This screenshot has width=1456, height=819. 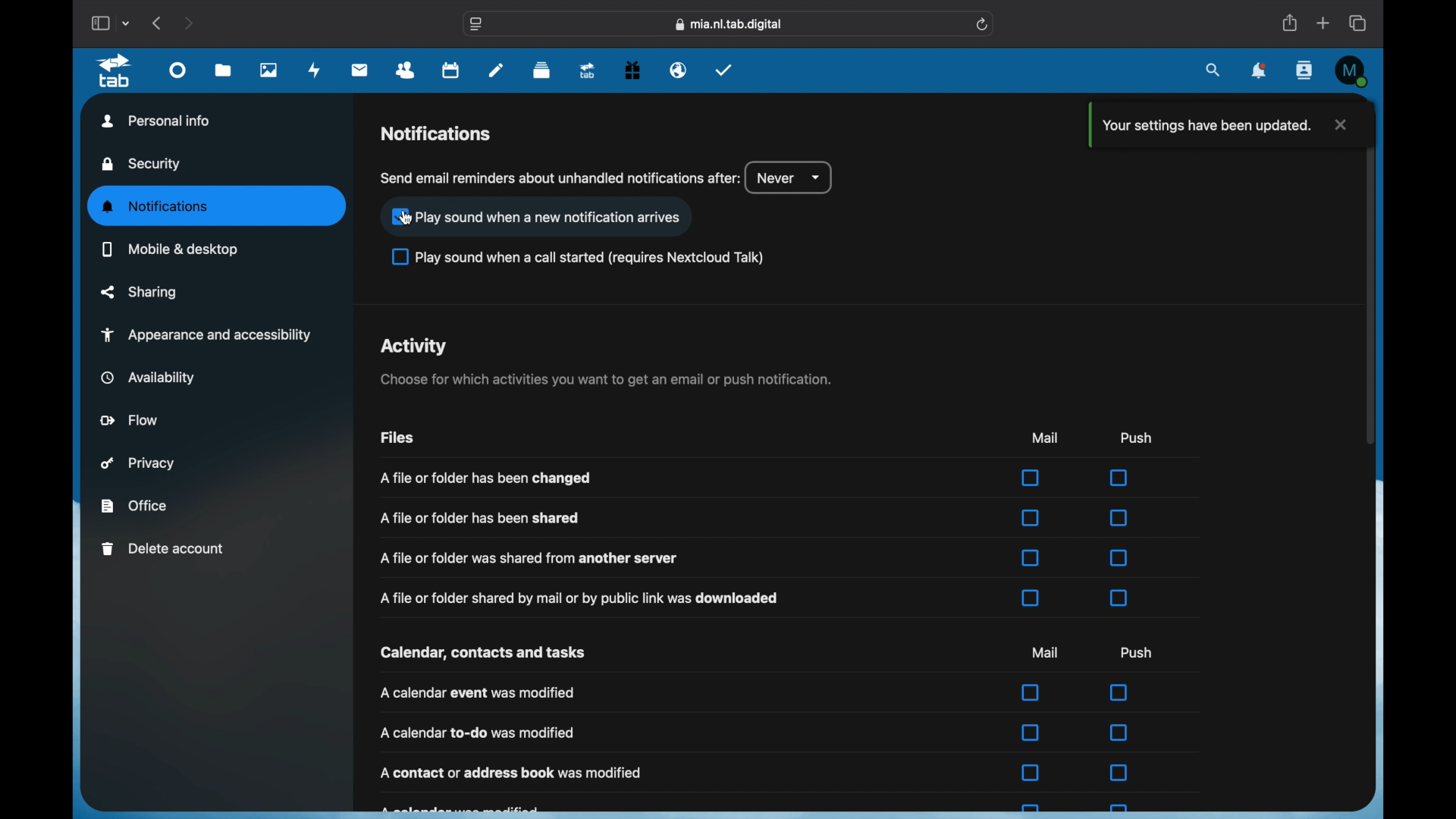 What do you see at coordinates (513, 773) in the screenshot?
I see `info` at bounding box center [513, 773].